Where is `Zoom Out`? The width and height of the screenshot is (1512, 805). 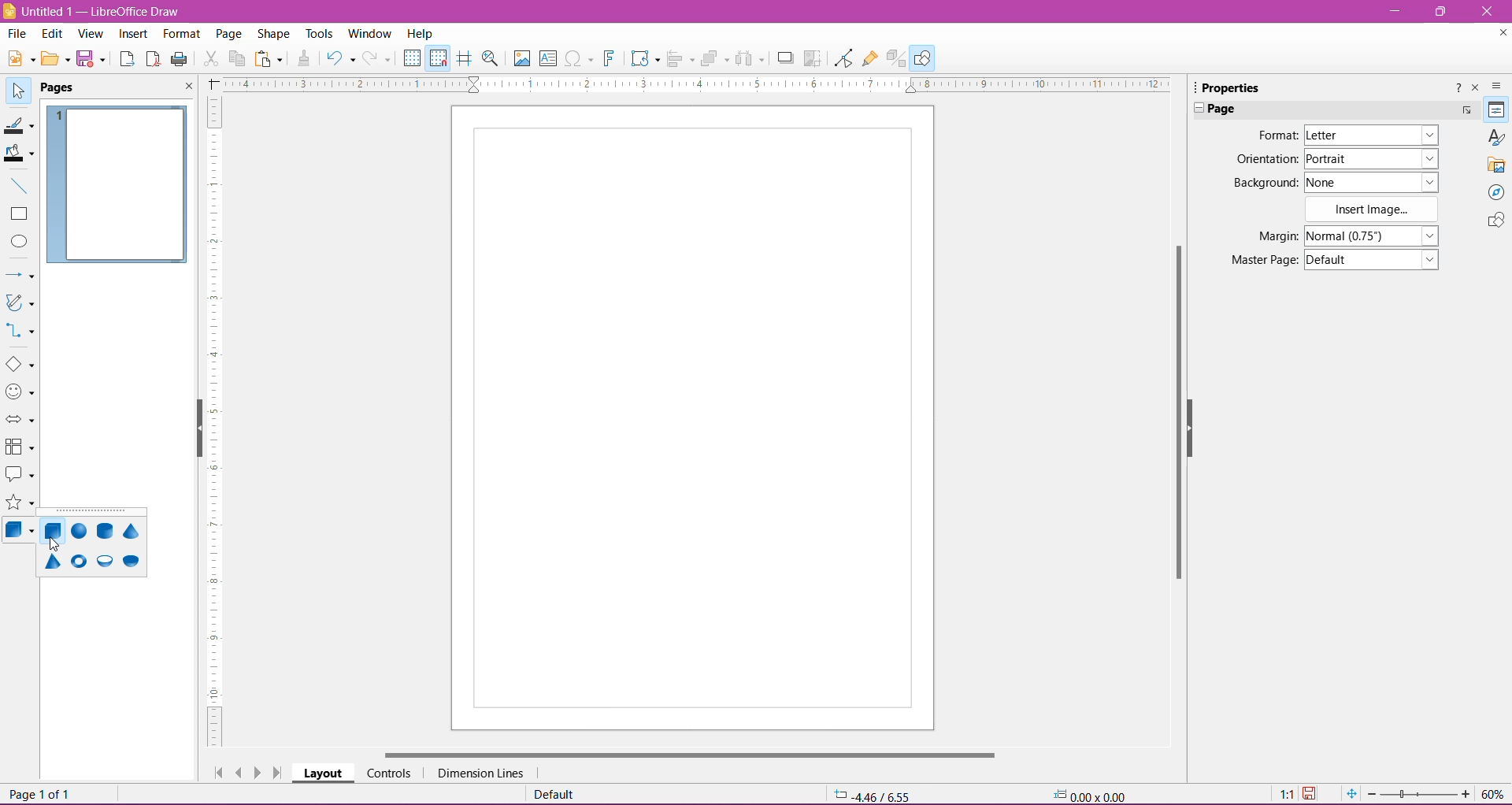
Zoom Out is located at coordinates (1371, 794).